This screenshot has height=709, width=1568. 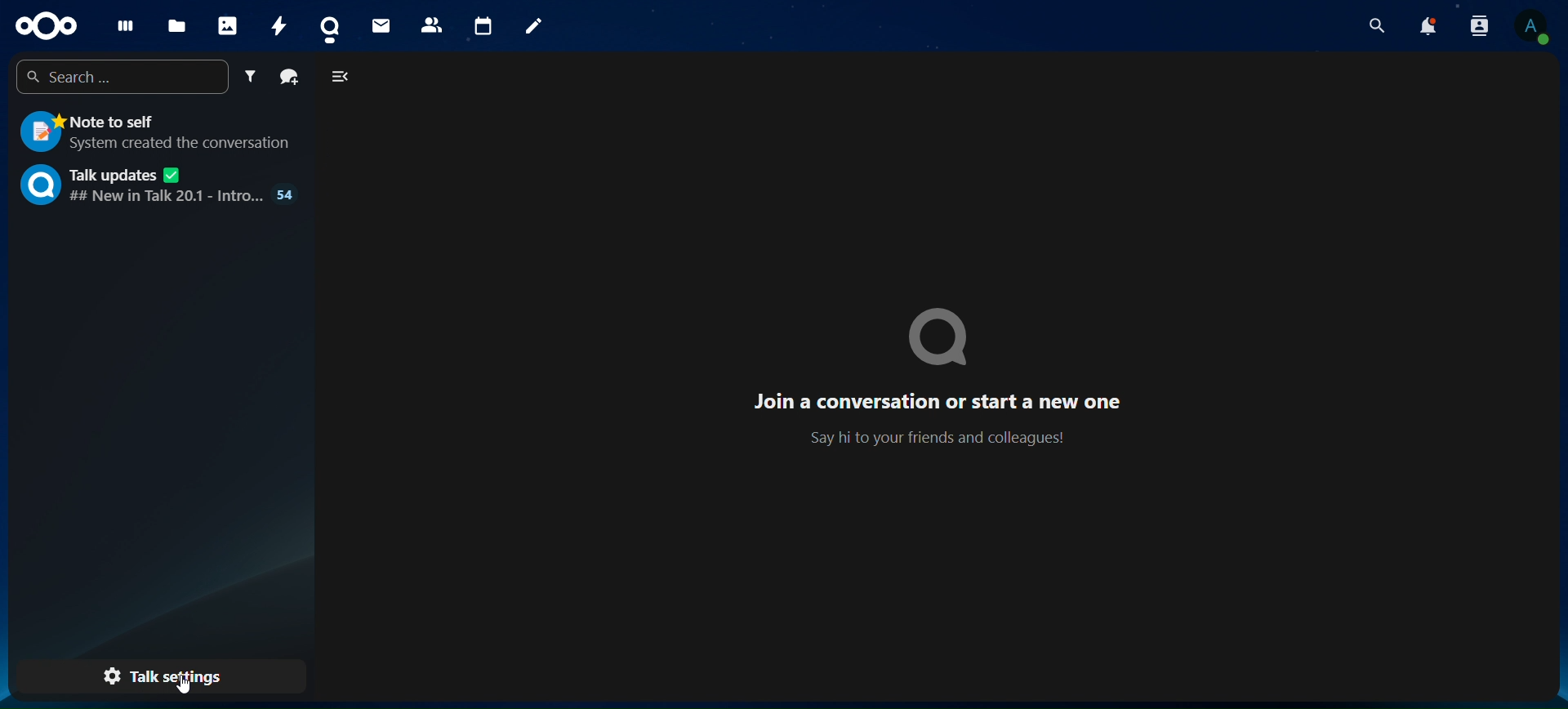 What do you see at coordinates (122, 24) in the screenshot?
I see `dashboard` at bounding box center [122, 24].